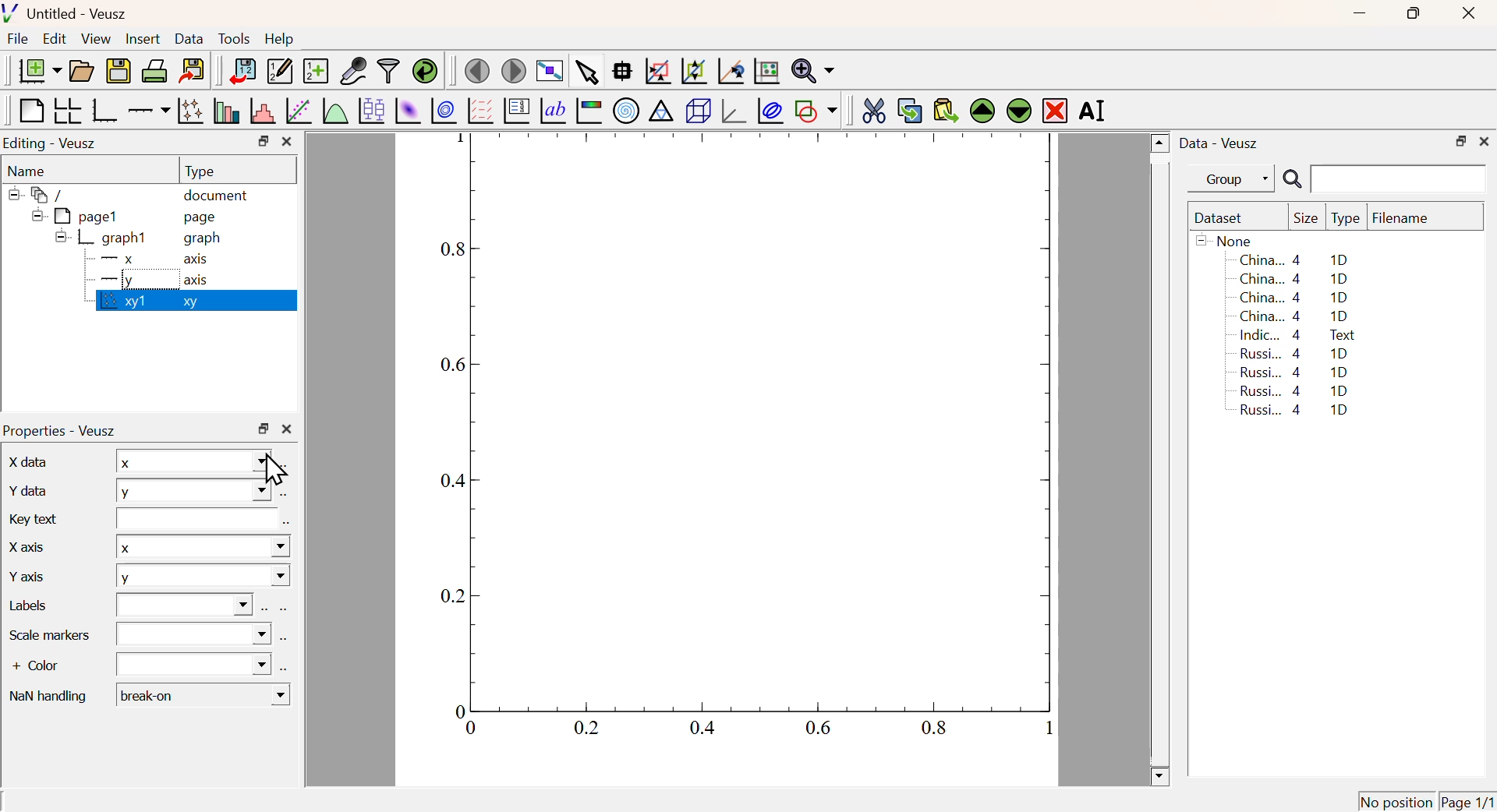  Describe the element at coordinates (1297, 411) in the screenshot. I see `Russi... 4 1D` at that location.